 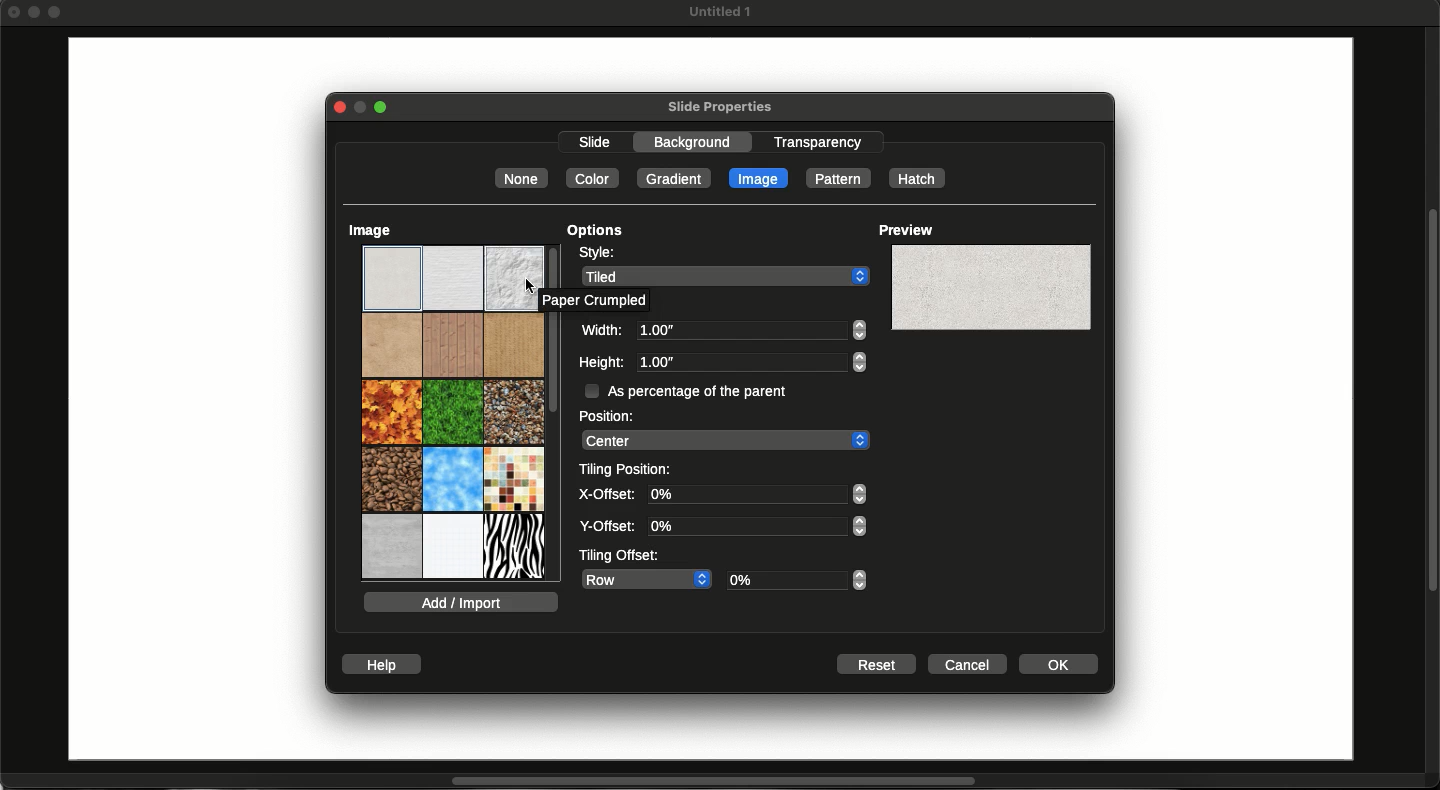 I want to click on Image selected, so click(x=759, y=177).